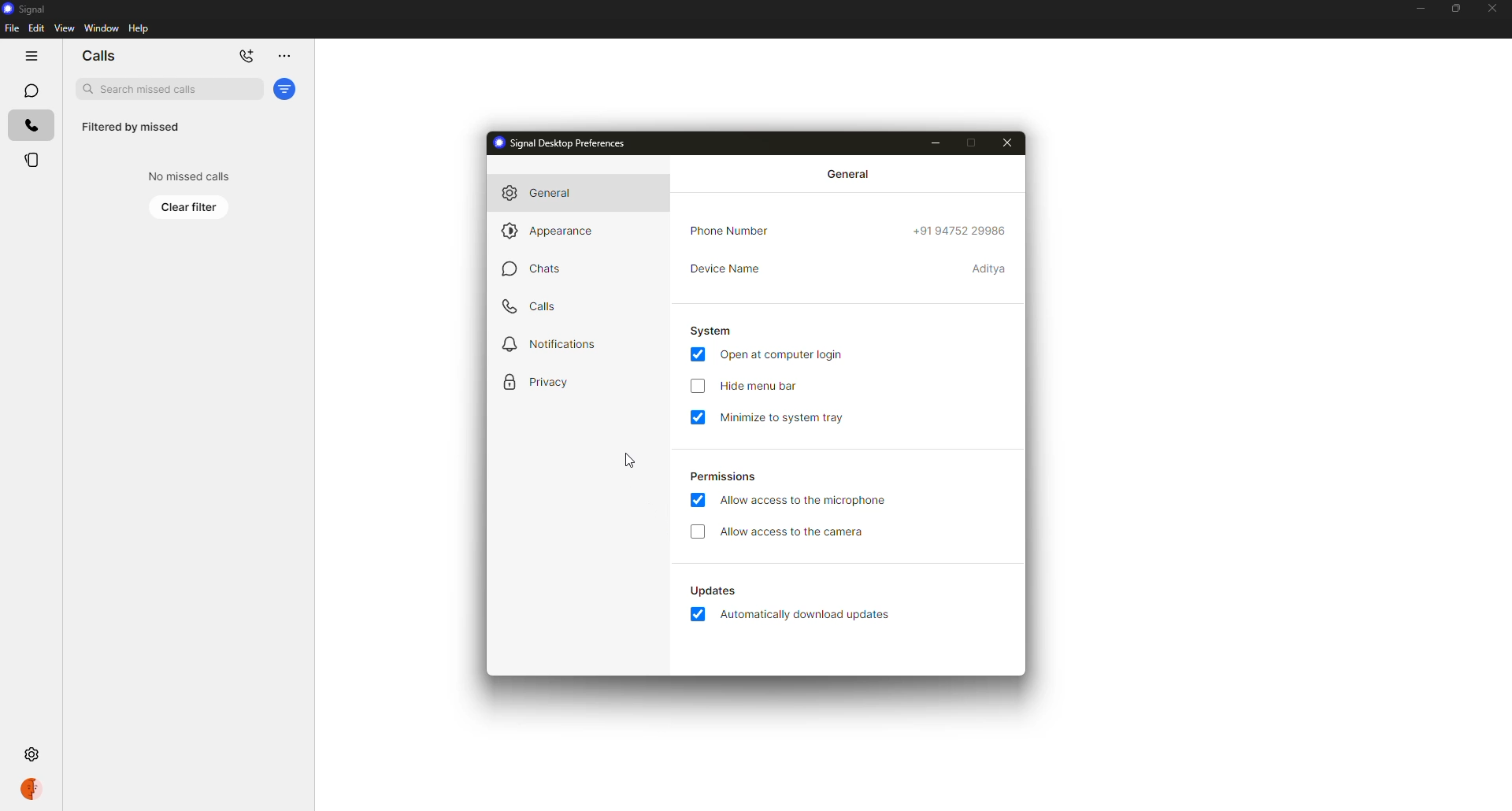 The width and height of the screenshot is (1512, 811). Describe the element at coordinates (26, 8) in the screenshot. I see `signal` at that location.